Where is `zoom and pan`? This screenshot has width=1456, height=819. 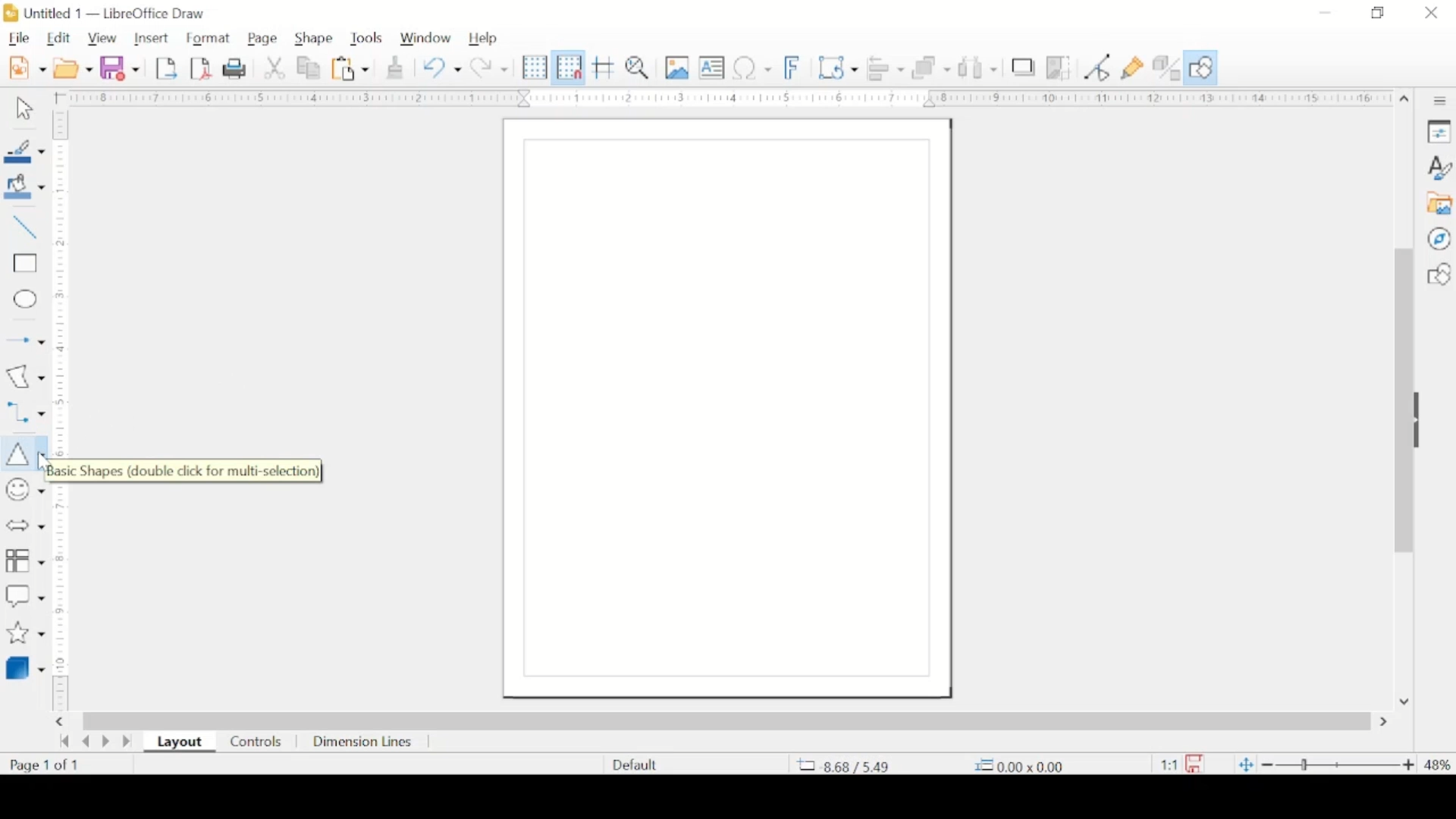 zoom and pan is located at coordinates (638, 68).